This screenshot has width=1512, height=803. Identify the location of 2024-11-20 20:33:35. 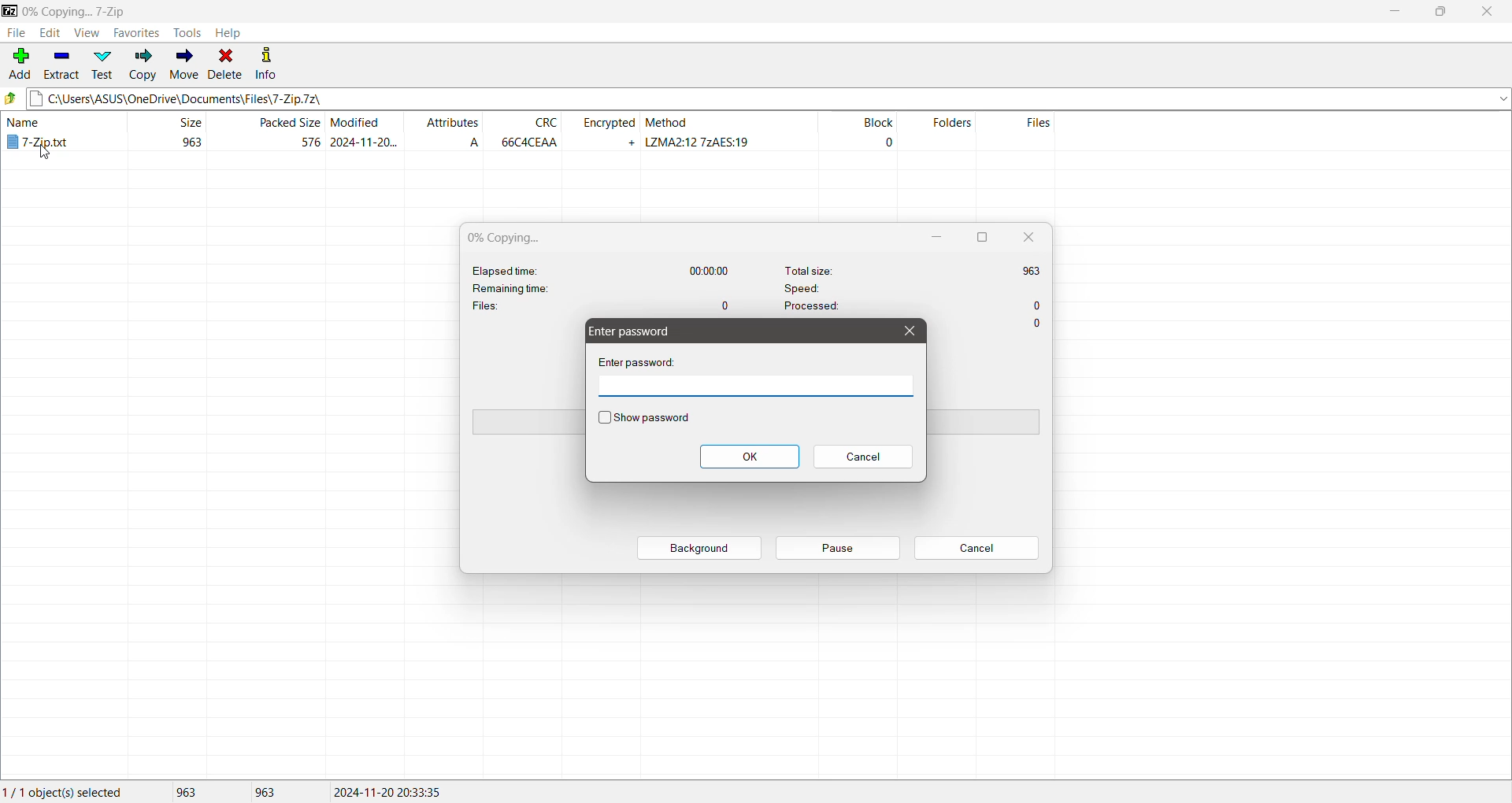
(392, 790).